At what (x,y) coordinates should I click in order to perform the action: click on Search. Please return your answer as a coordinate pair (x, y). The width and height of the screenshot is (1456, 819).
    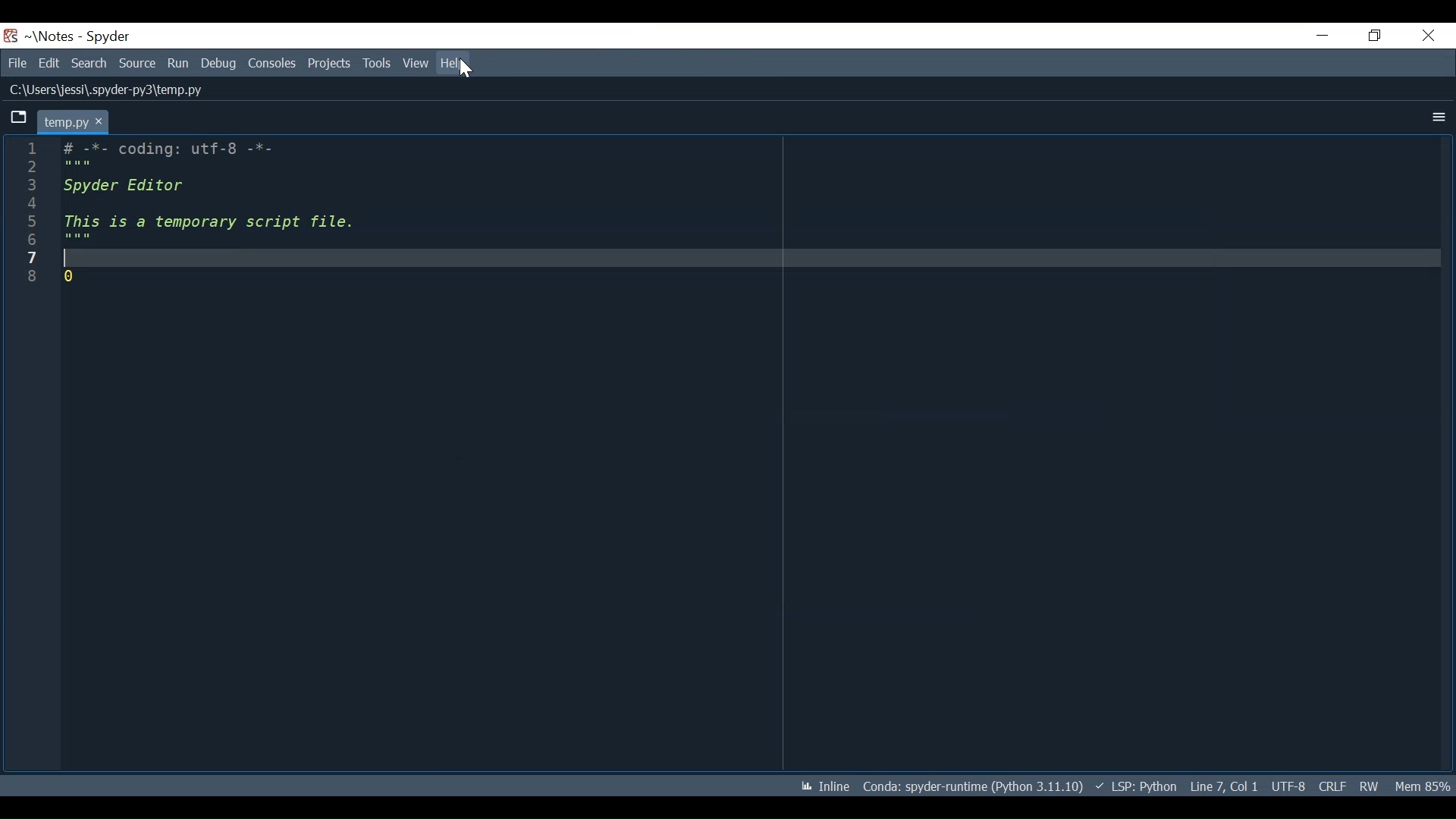
    Looking at the image, I should click on (90, 62).